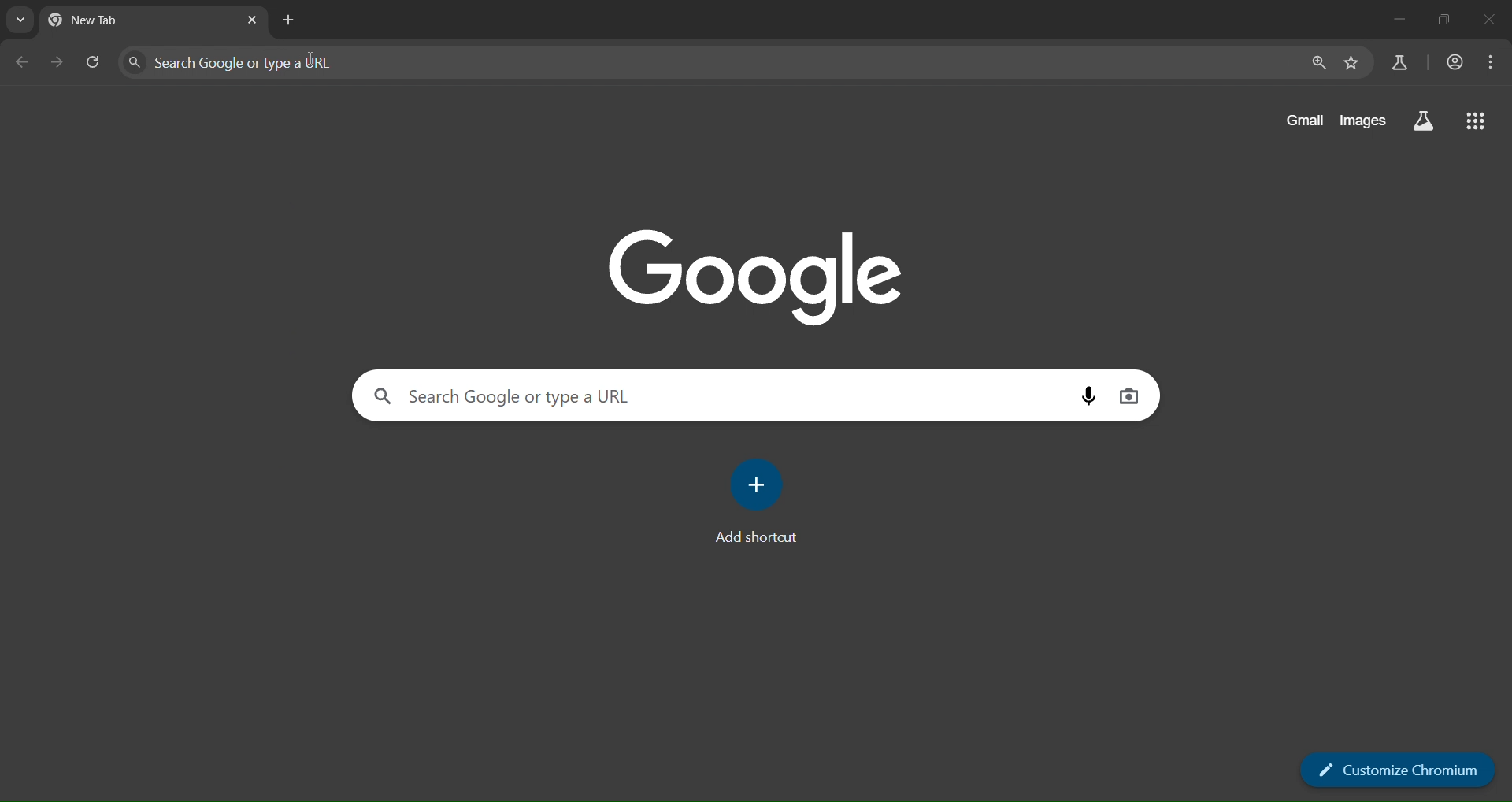  What do you see at coordinates (1399, 62) in the screenshot?
I see `search labs` at bounding box center [1399, 62].